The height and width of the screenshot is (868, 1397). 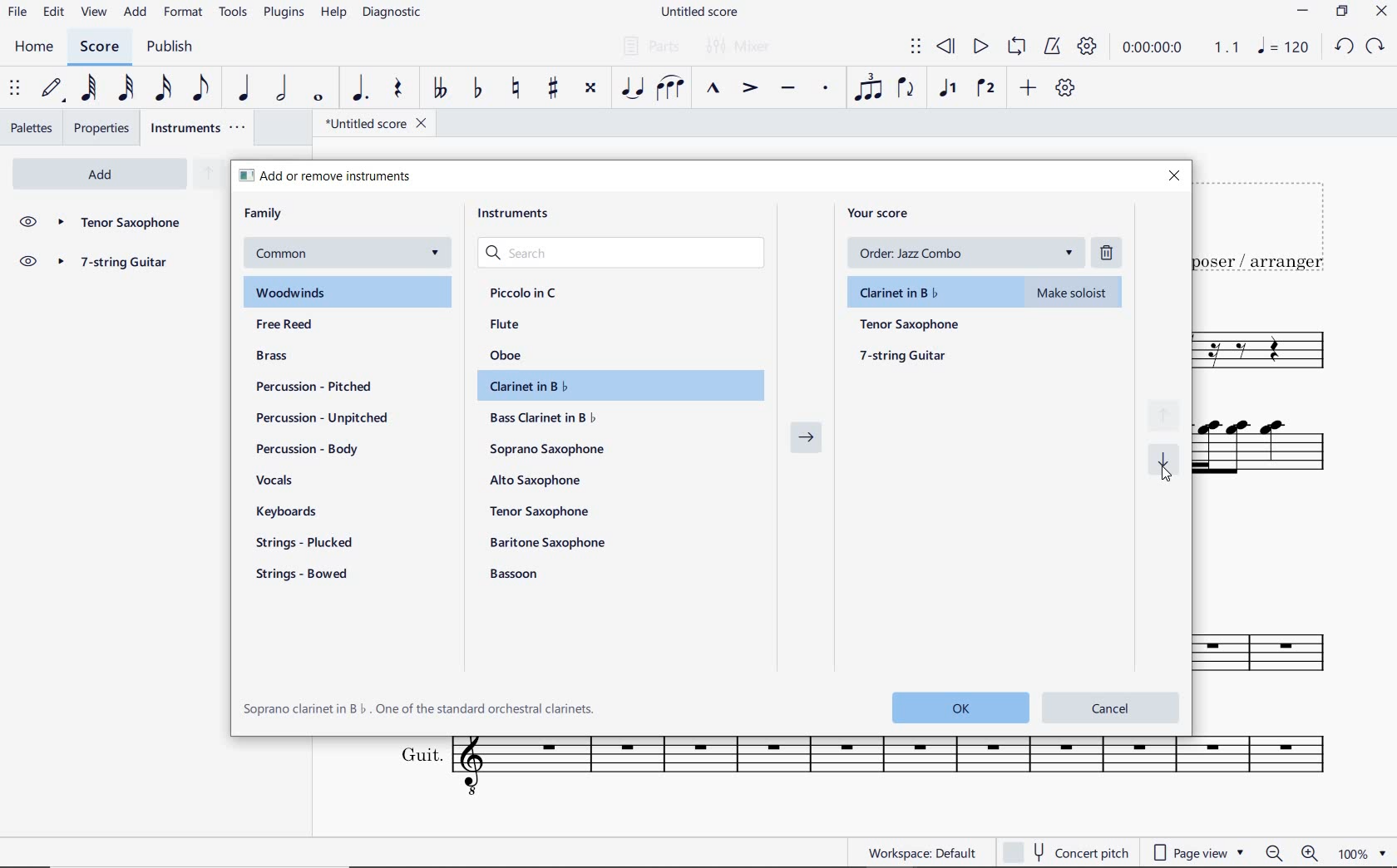 I want to click on TOOLS, so click(x=234, y=11).